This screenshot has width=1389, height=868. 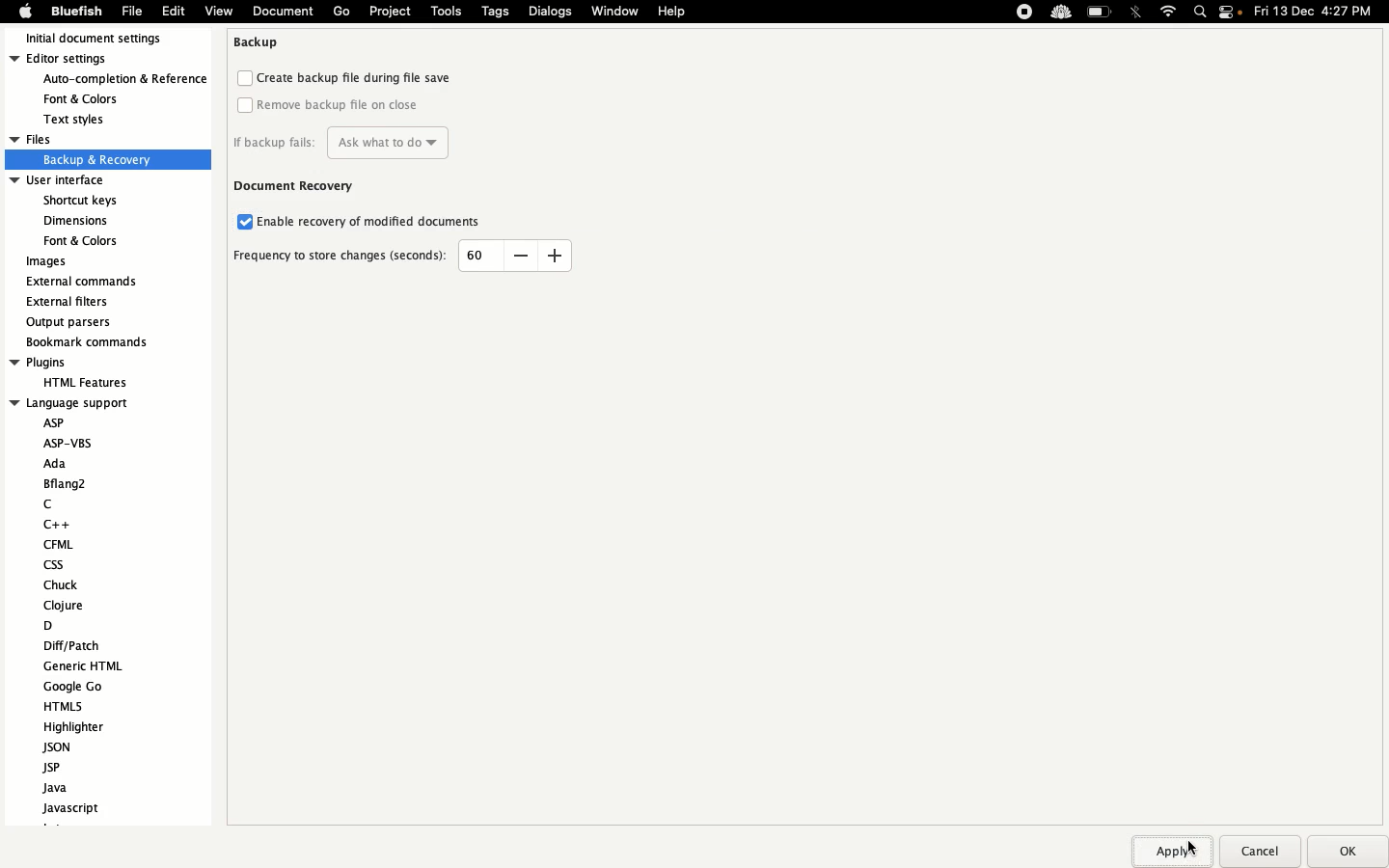 What do you see at coordinates (1134, 12) in the screenshot?
I see `Bluetooth` at bounding box center [1134, 12].